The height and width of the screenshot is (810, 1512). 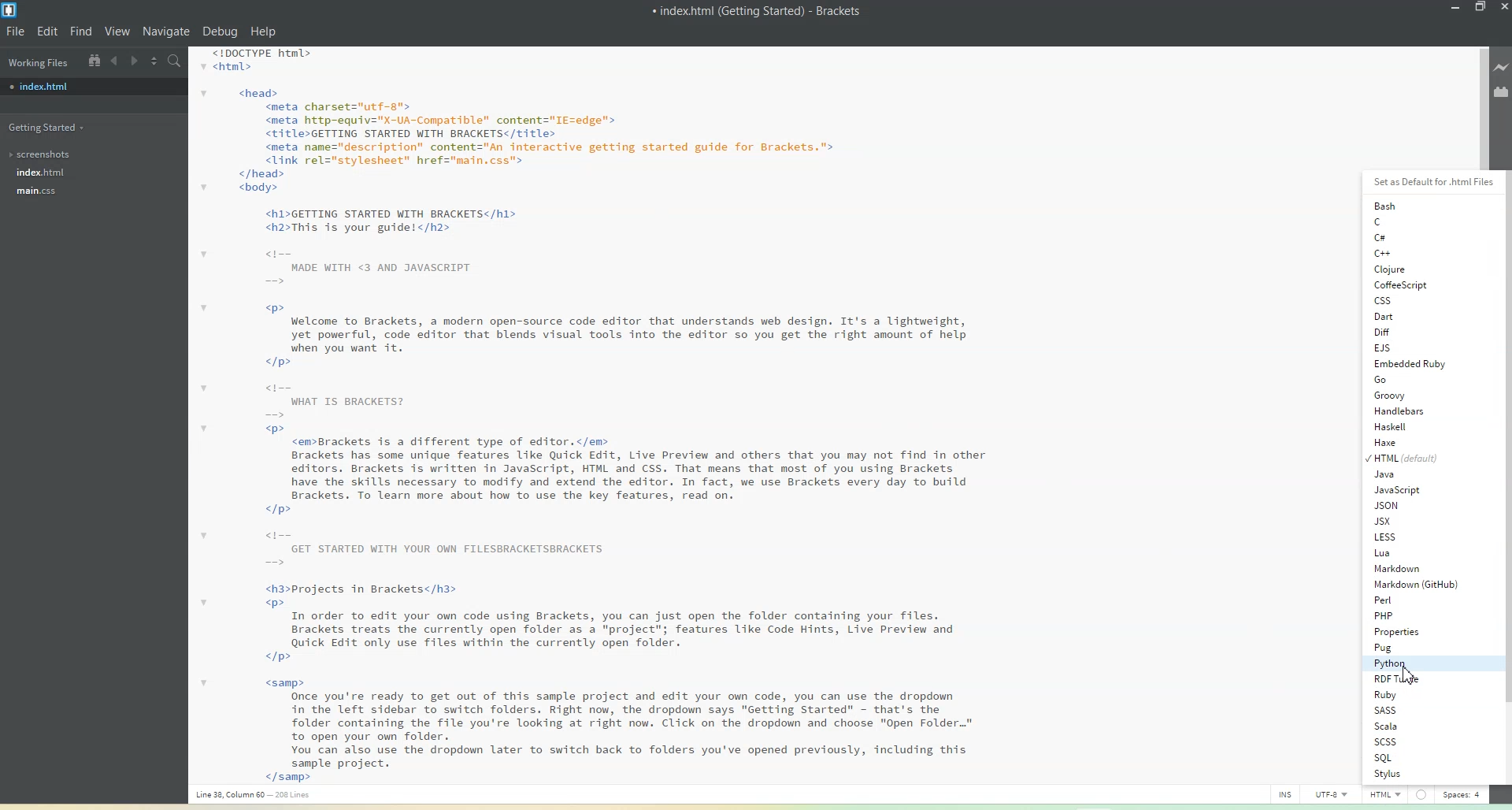 I want to click on Properties, so click(x=1417, y=632).